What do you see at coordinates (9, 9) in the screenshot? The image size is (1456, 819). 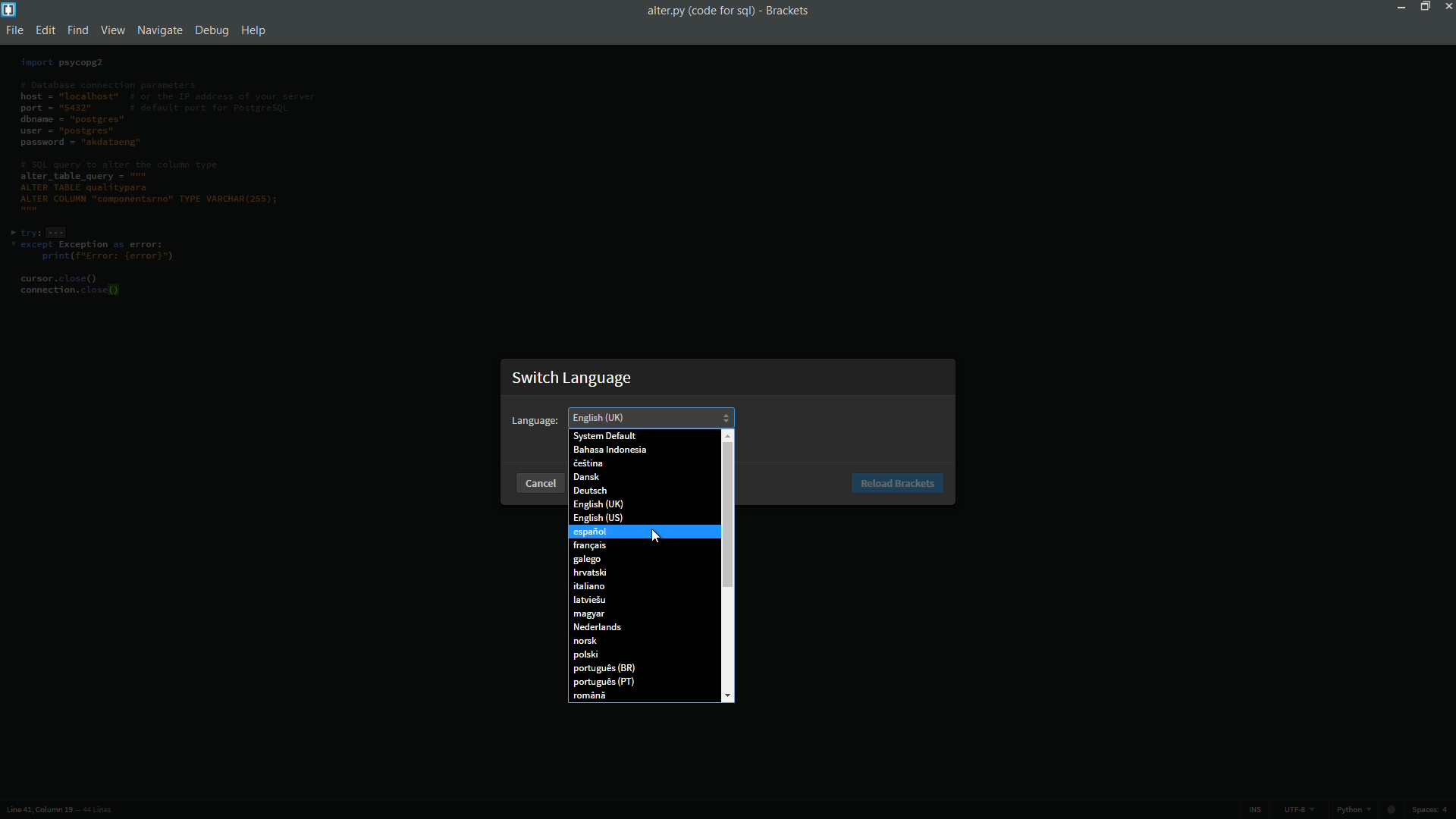 I see `app icon` at bounding box center [9, 9].